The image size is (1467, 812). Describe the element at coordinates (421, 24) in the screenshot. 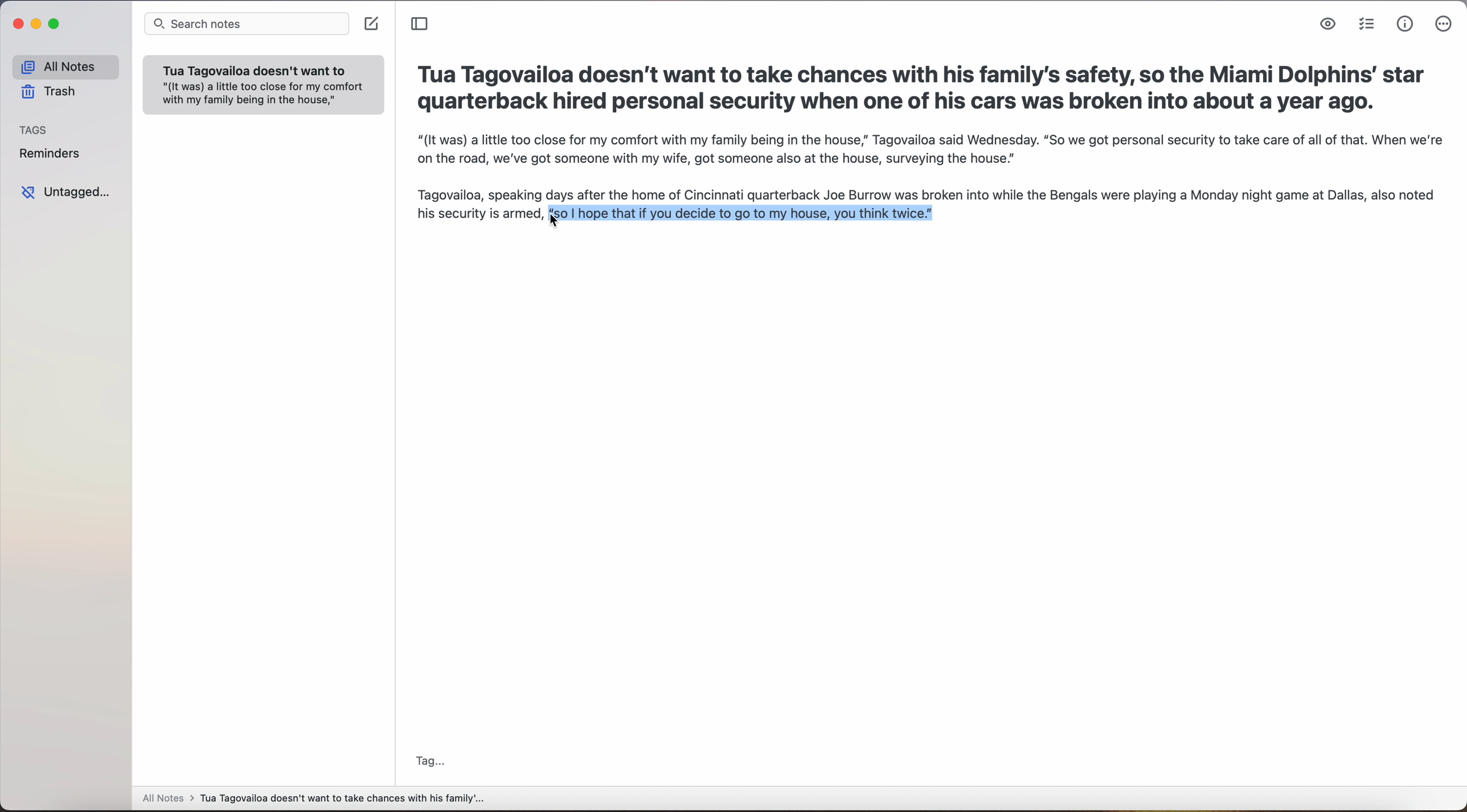

I see `toggle sidebar` at that location.